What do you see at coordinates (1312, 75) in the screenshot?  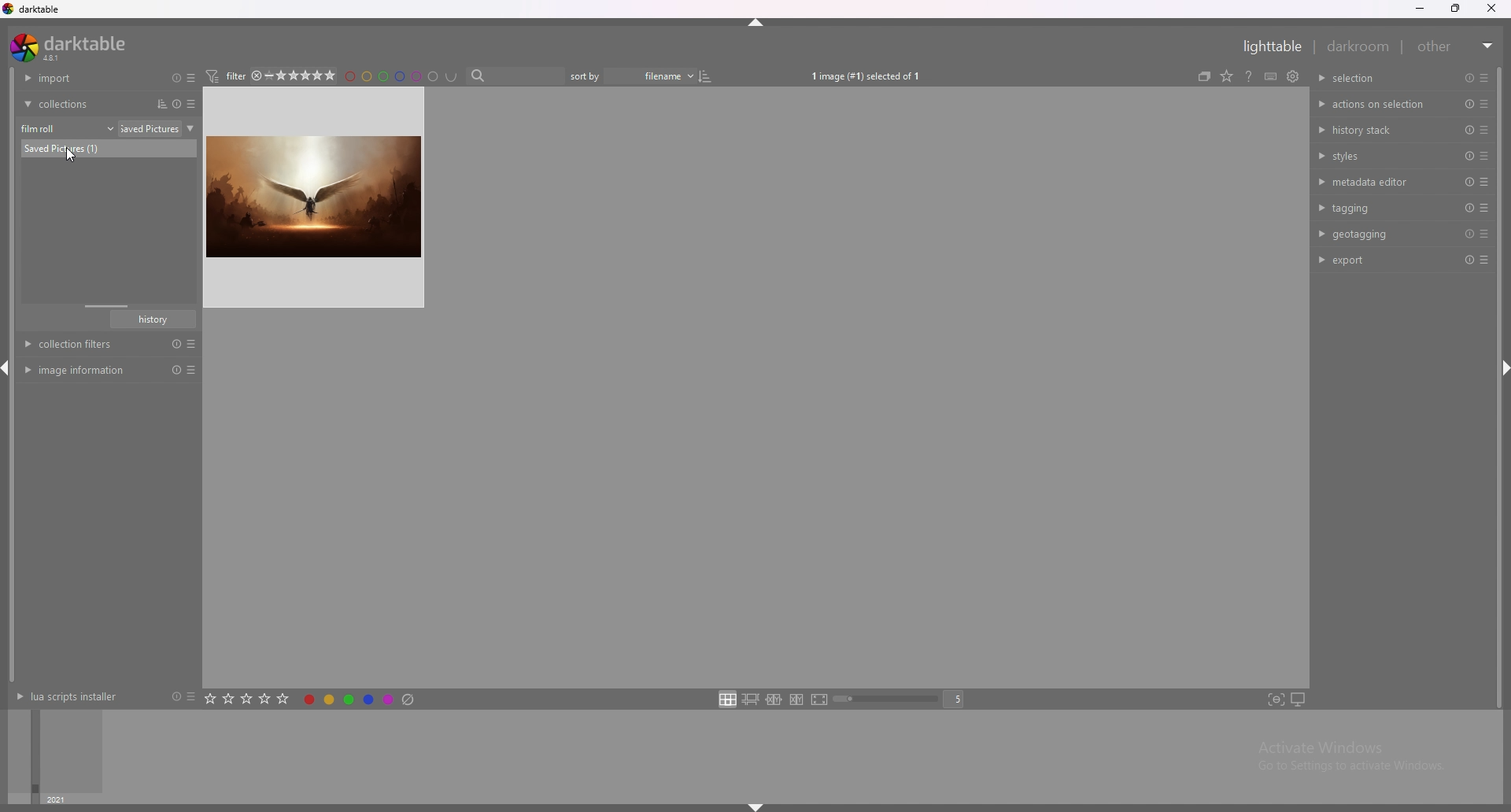 I see `show global preferences` at bounding box center [1312, 75].